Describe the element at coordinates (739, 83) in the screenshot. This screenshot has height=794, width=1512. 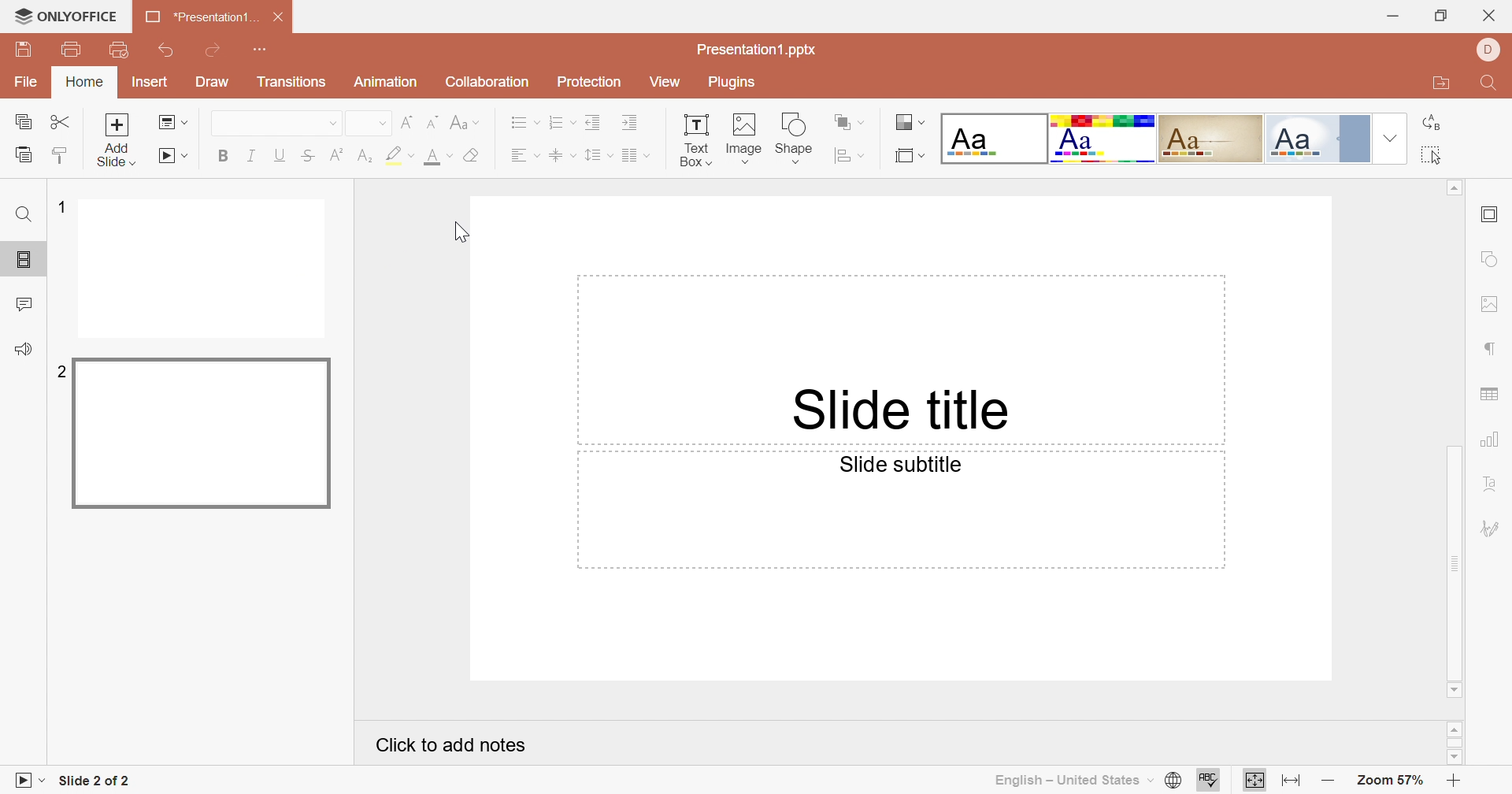
I see `Plugins` at that location.